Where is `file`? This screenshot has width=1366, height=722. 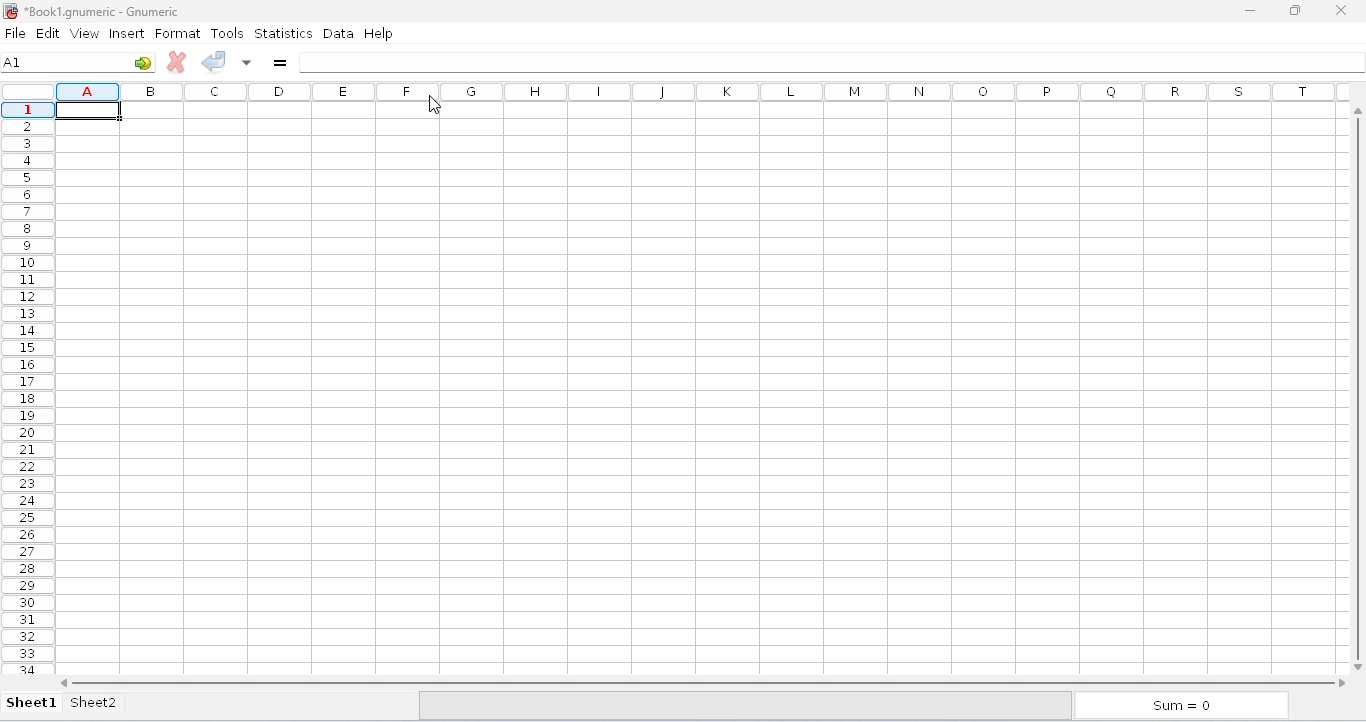 file is located at coordinates (15, 34).